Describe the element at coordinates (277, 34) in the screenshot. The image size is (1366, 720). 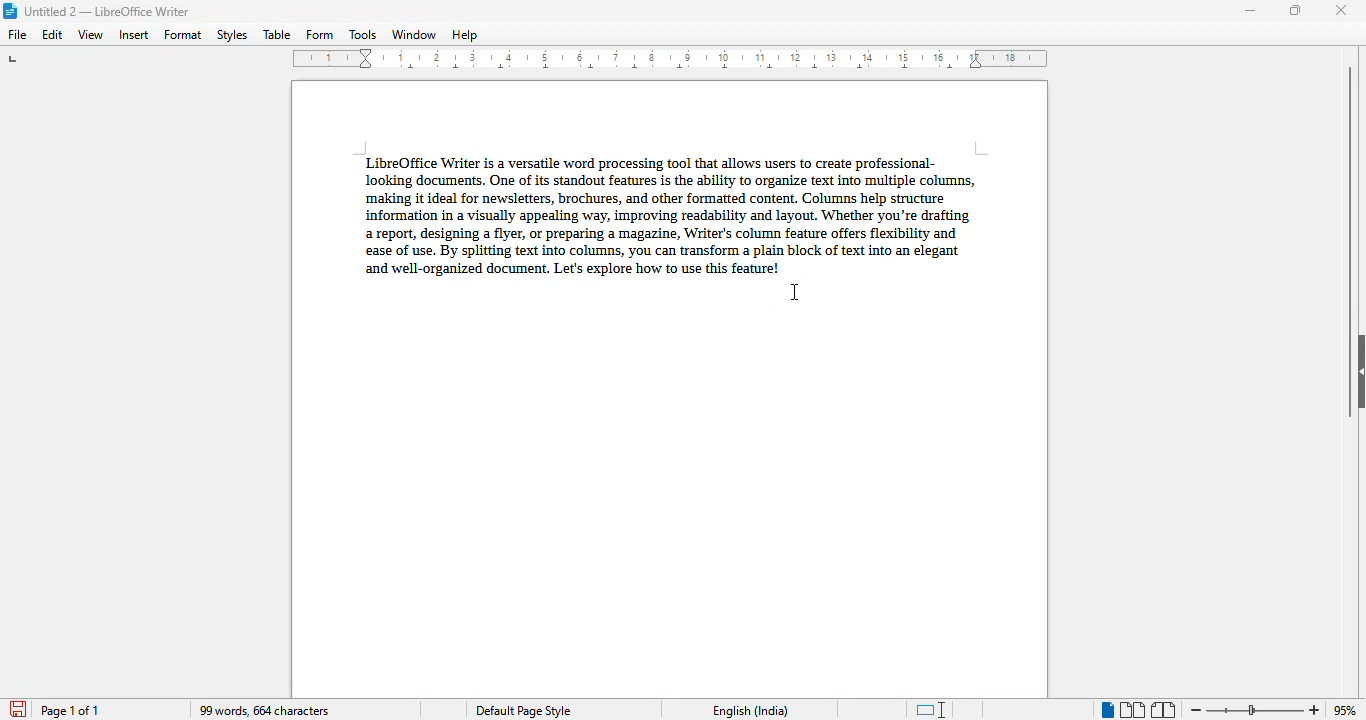
I see `table` at that location.